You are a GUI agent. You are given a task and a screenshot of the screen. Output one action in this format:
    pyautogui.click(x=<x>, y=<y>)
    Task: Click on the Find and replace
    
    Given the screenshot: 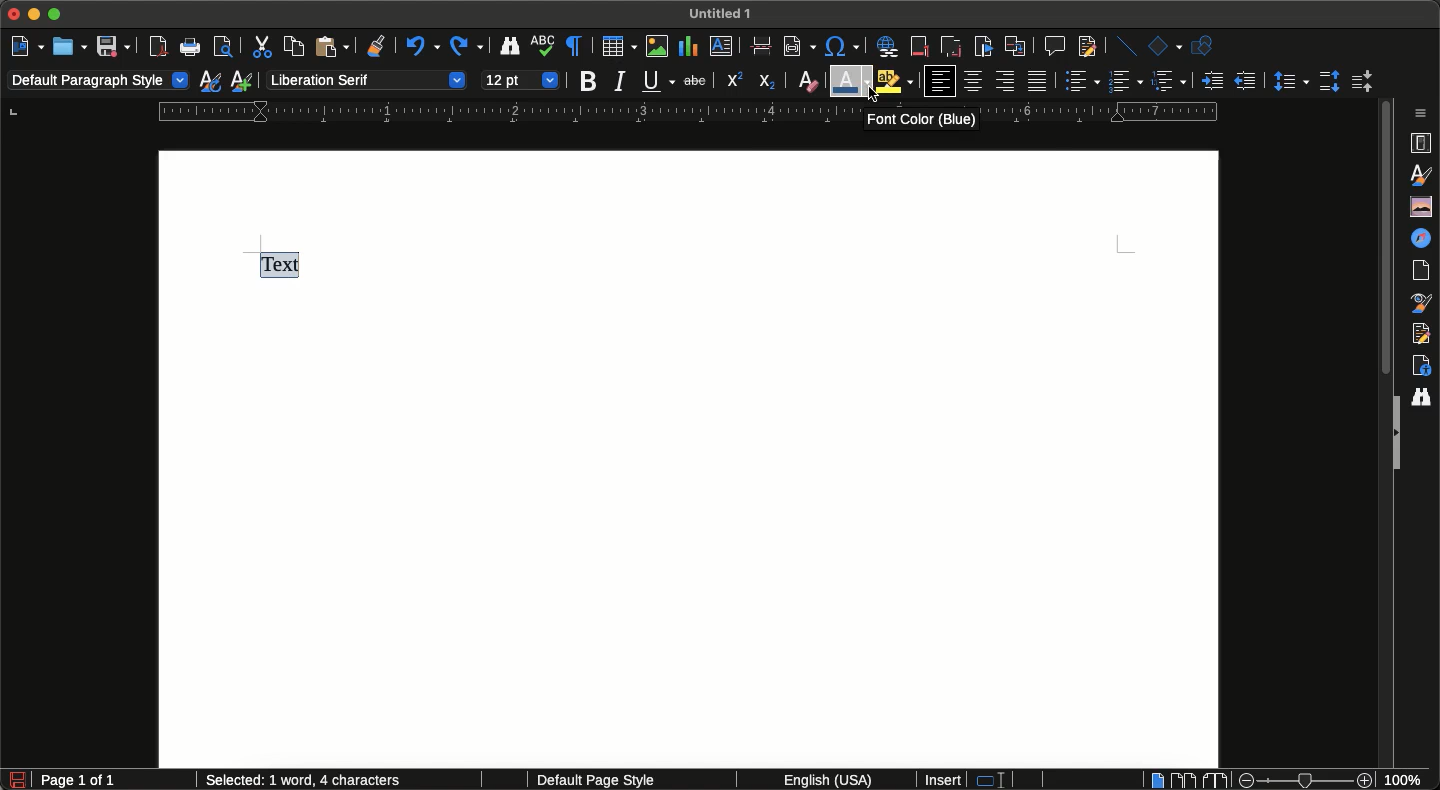 What is the action you would take?
    pyautogui.click(x=510, y=49)
    